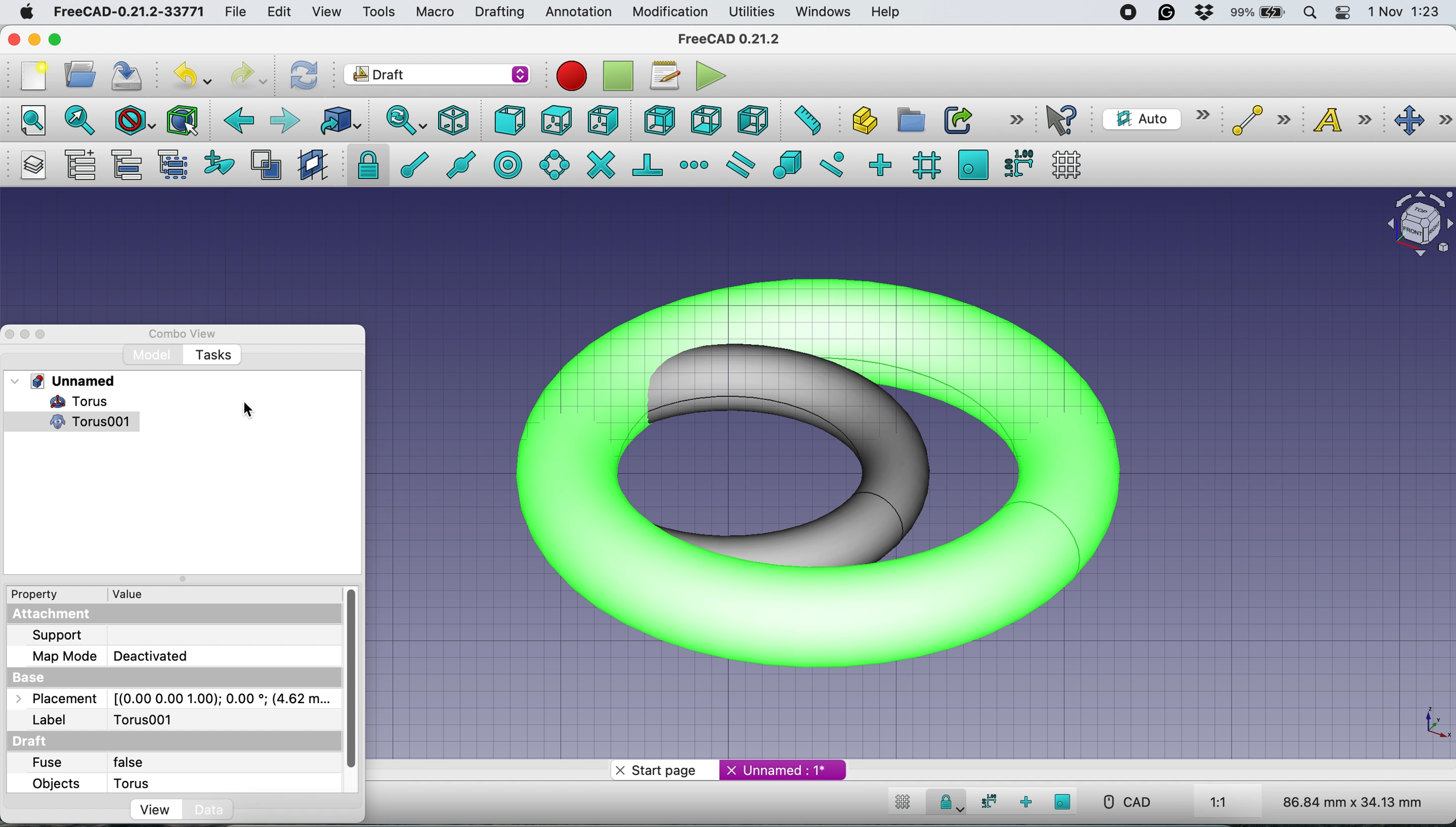 The image size is (1456, 827). I want to click on stop debugging, so click(615, 76).